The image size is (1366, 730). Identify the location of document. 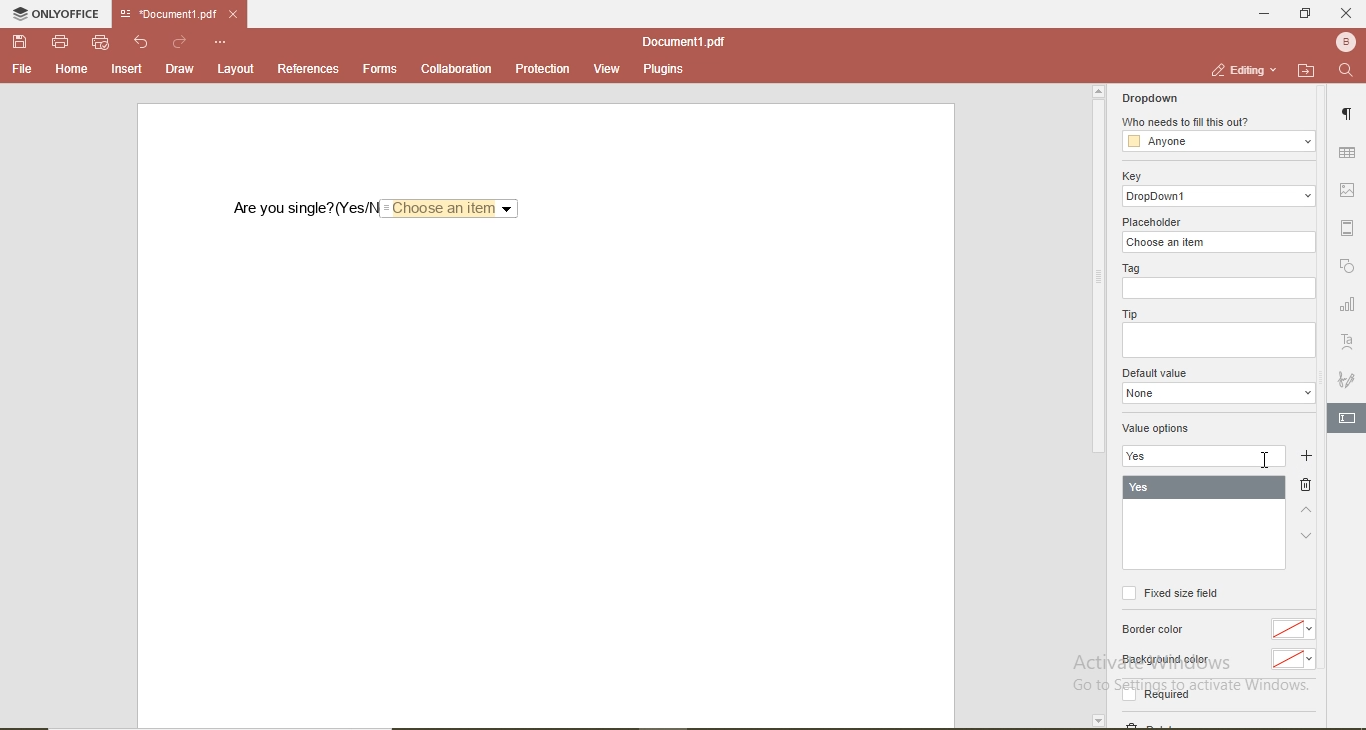
(681, 41).